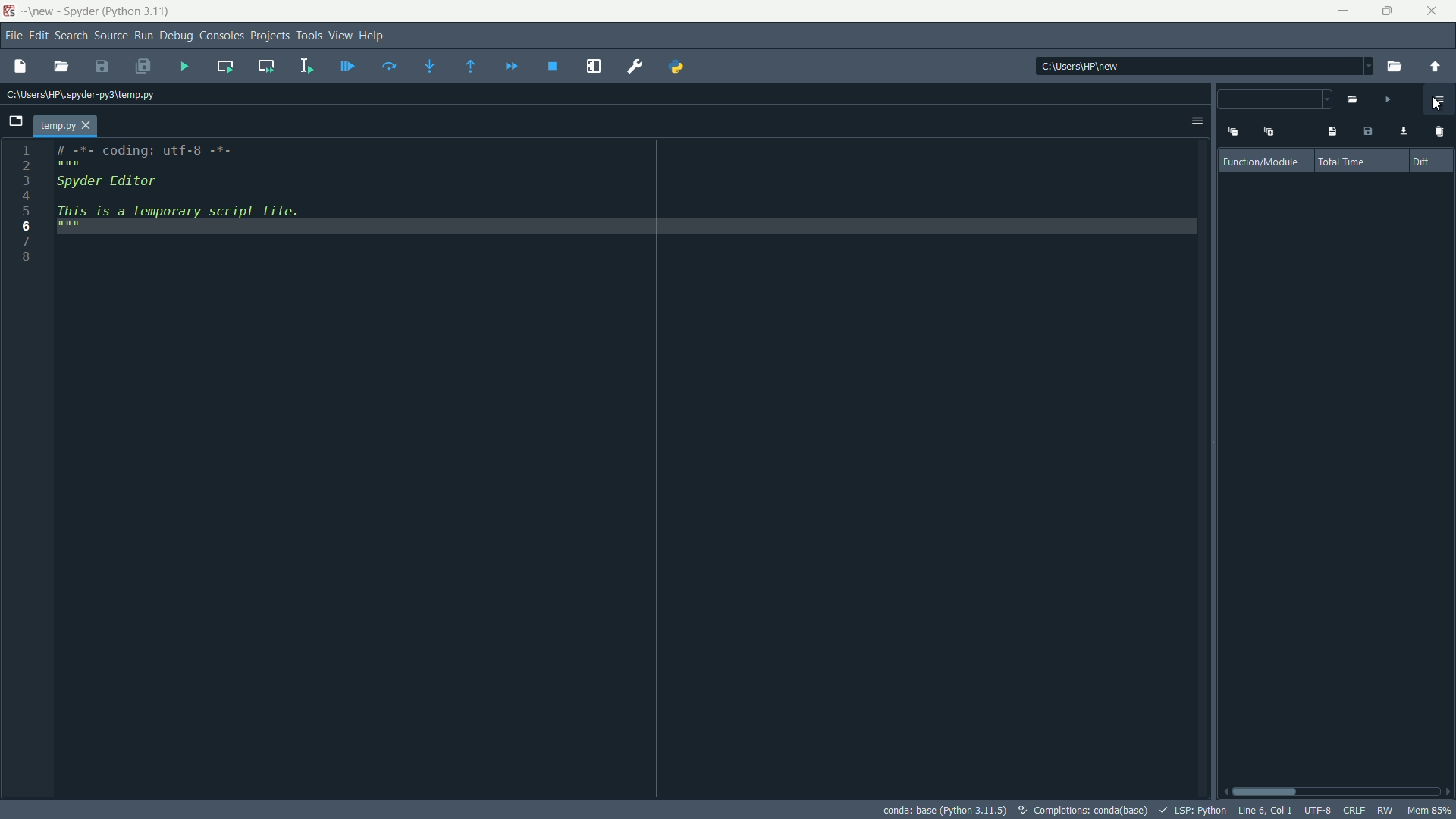 The width and height of the screenshot is (1456, 819). I want to click on 4, so click(25, 195).